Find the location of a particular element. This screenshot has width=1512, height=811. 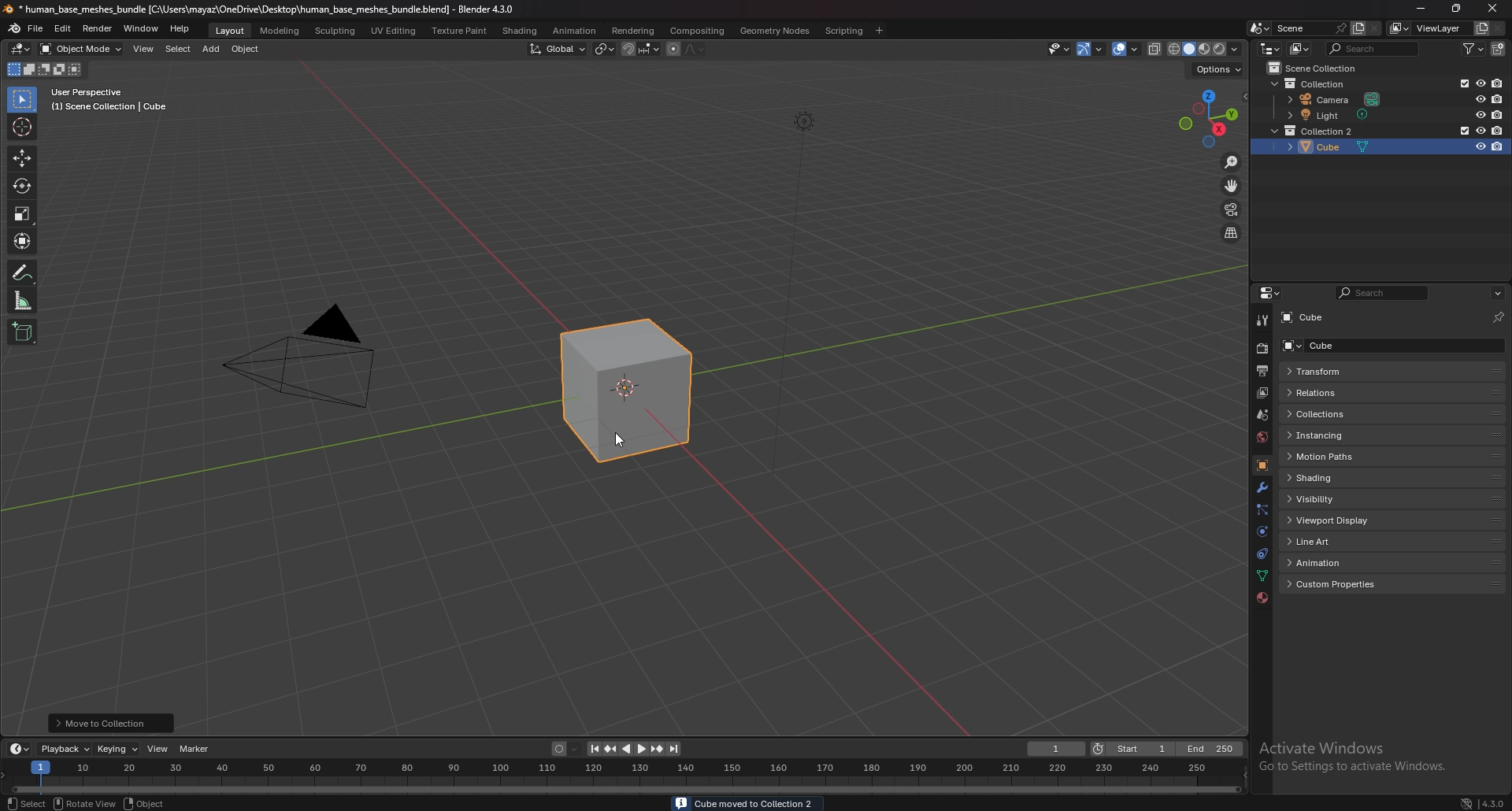

render is located at coordinates (1262, 349).